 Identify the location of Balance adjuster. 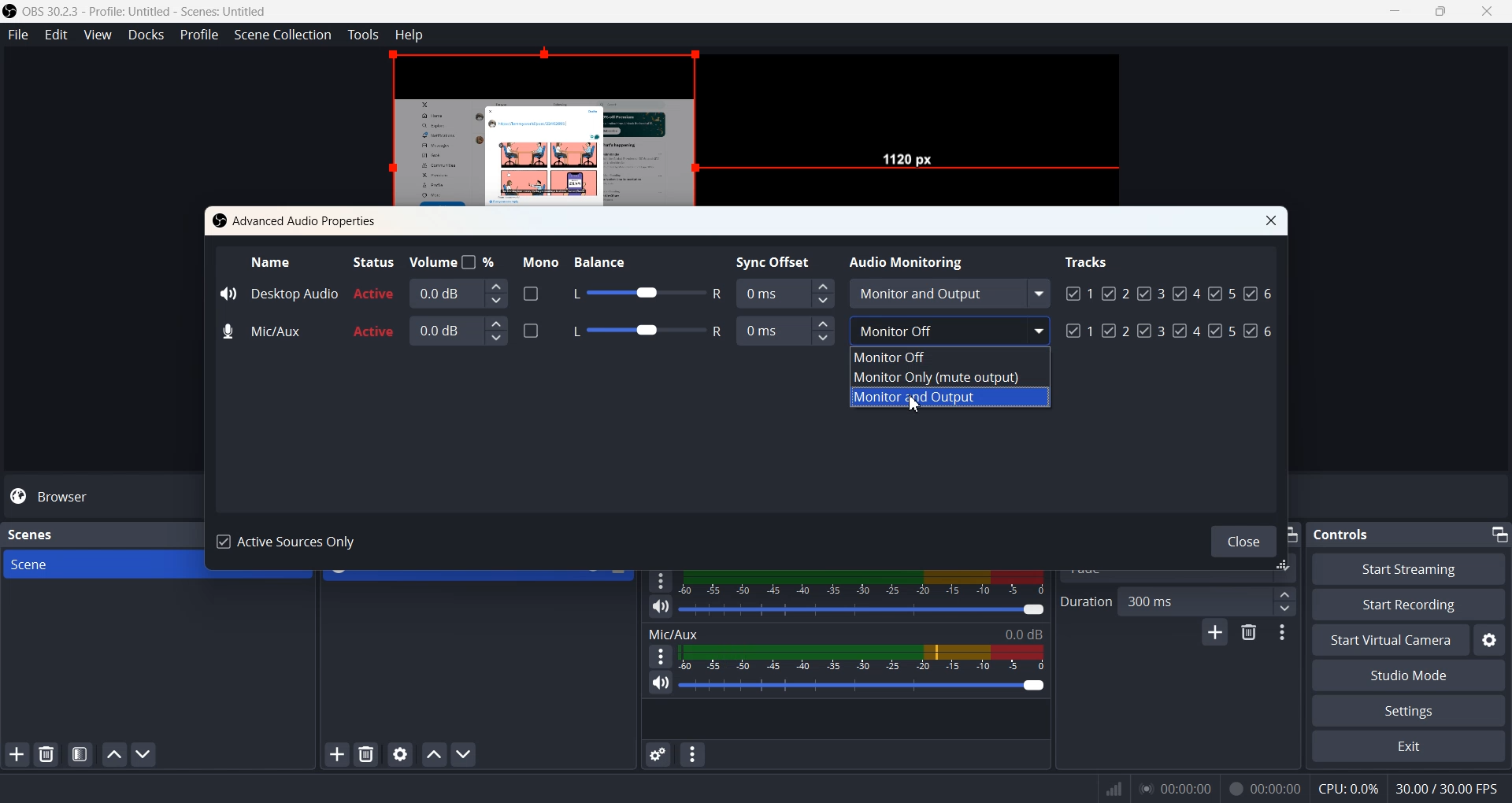
(642, 328).